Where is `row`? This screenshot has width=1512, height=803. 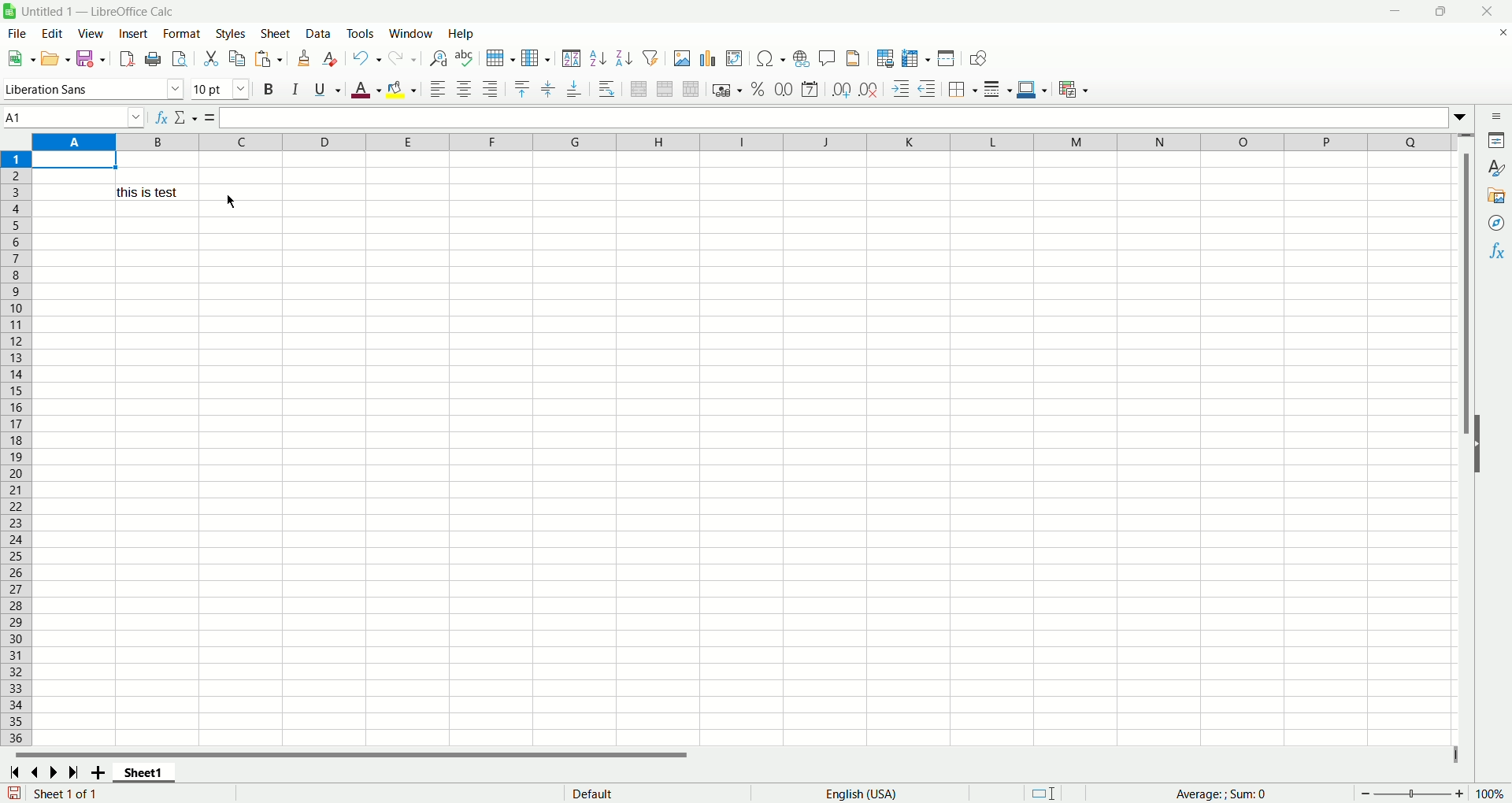
row is located at coordinates (498, 59).